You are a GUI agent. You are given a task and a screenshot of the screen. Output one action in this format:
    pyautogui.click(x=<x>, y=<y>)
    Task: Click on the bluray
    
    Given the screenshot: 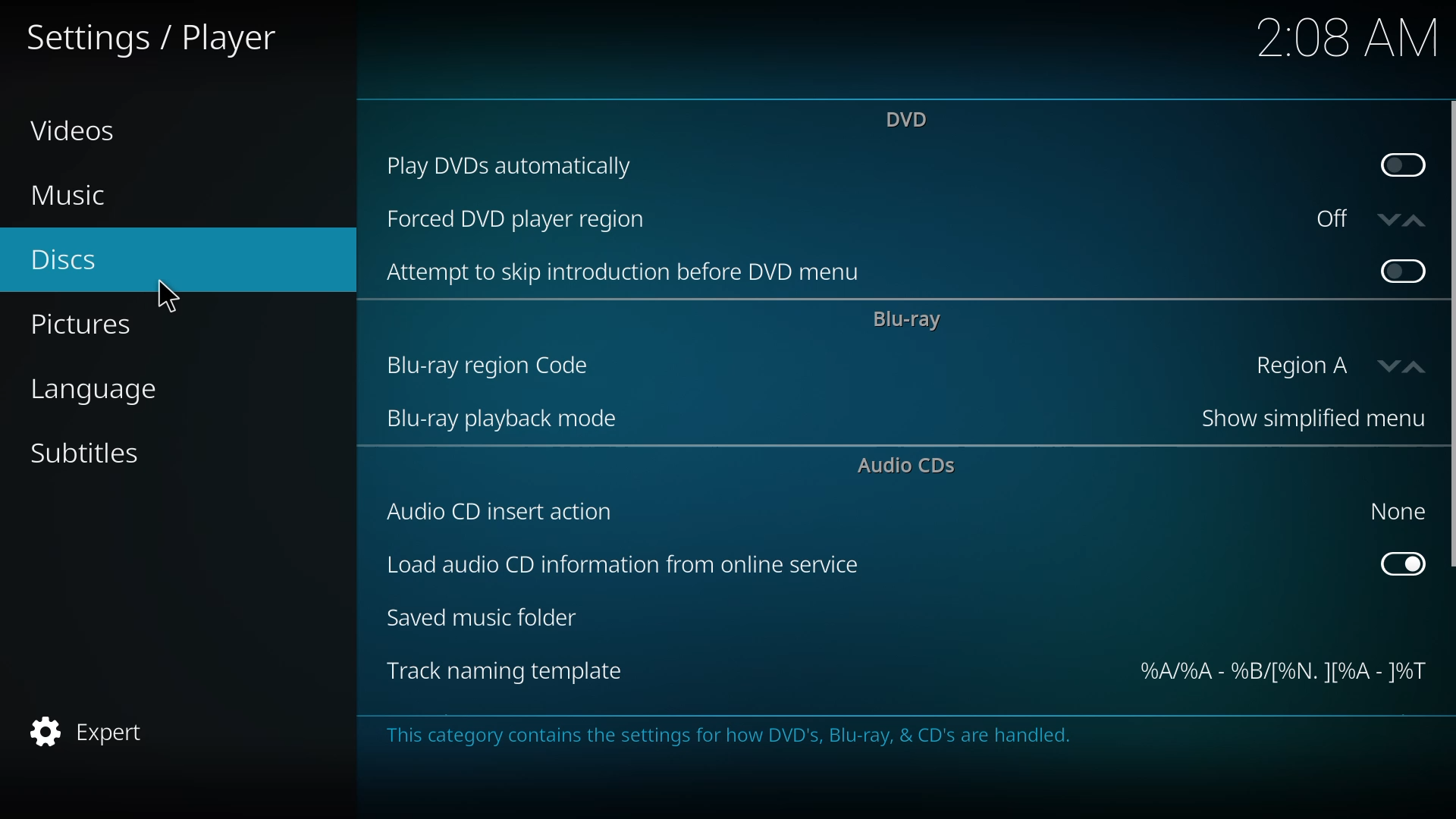 What is the action you would take?
    pyautogui.click(x=908, y=320)
    